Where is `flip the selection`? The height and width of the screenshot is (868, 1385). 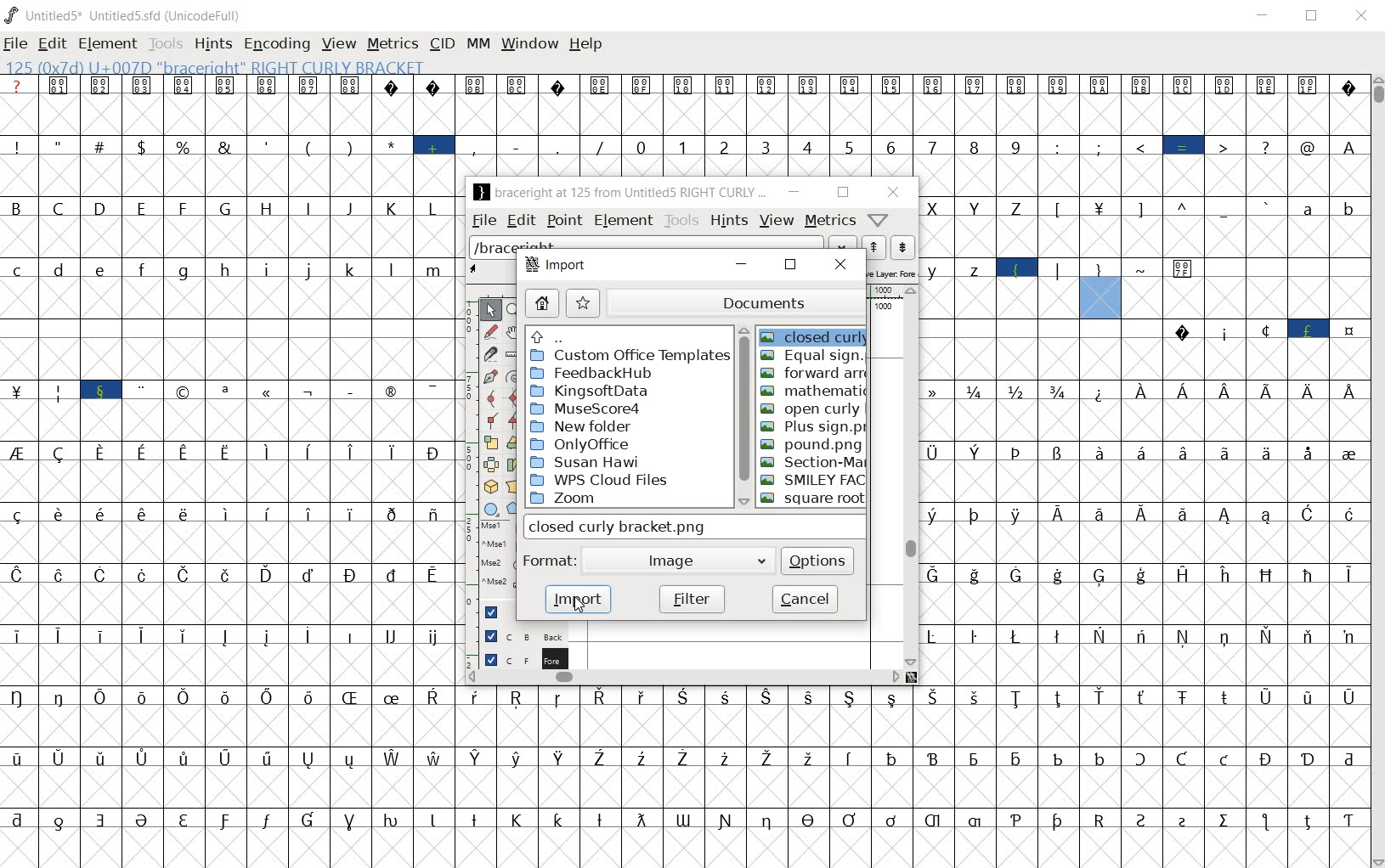 flip the selection is located at coordinates (513, 443).